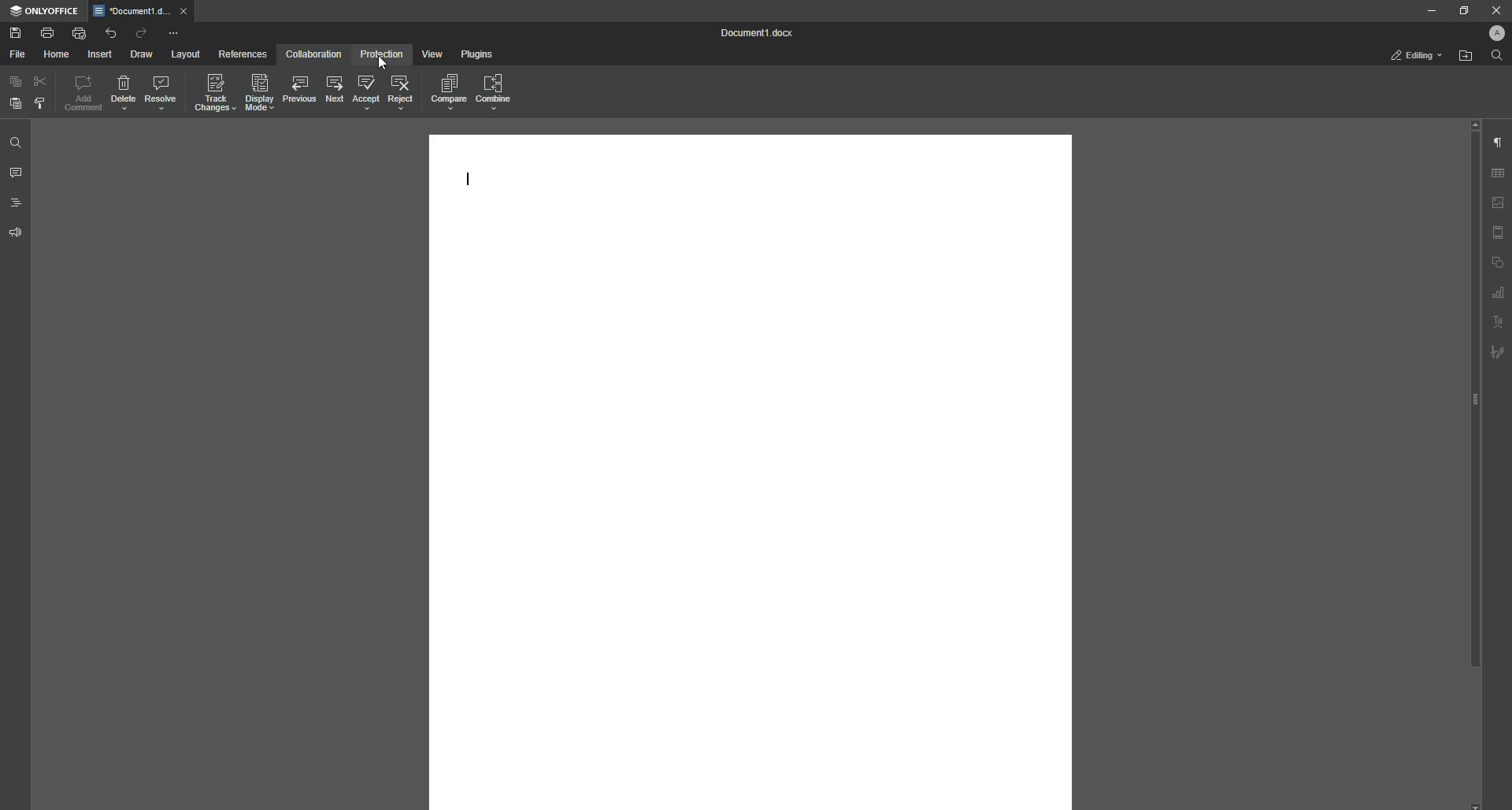  I want to click on Combine, so click(494, 91).